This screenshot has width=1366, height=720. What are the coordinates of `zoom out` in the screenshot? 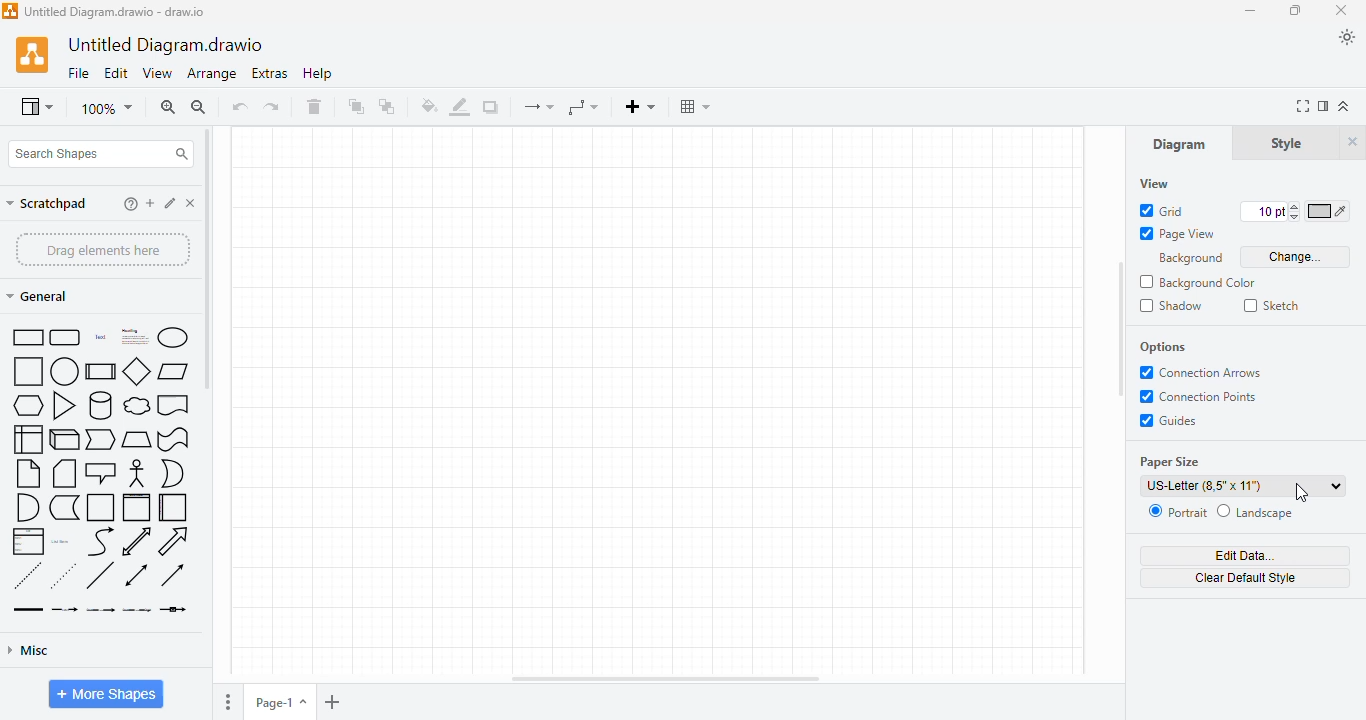 It's located at (199, 107).